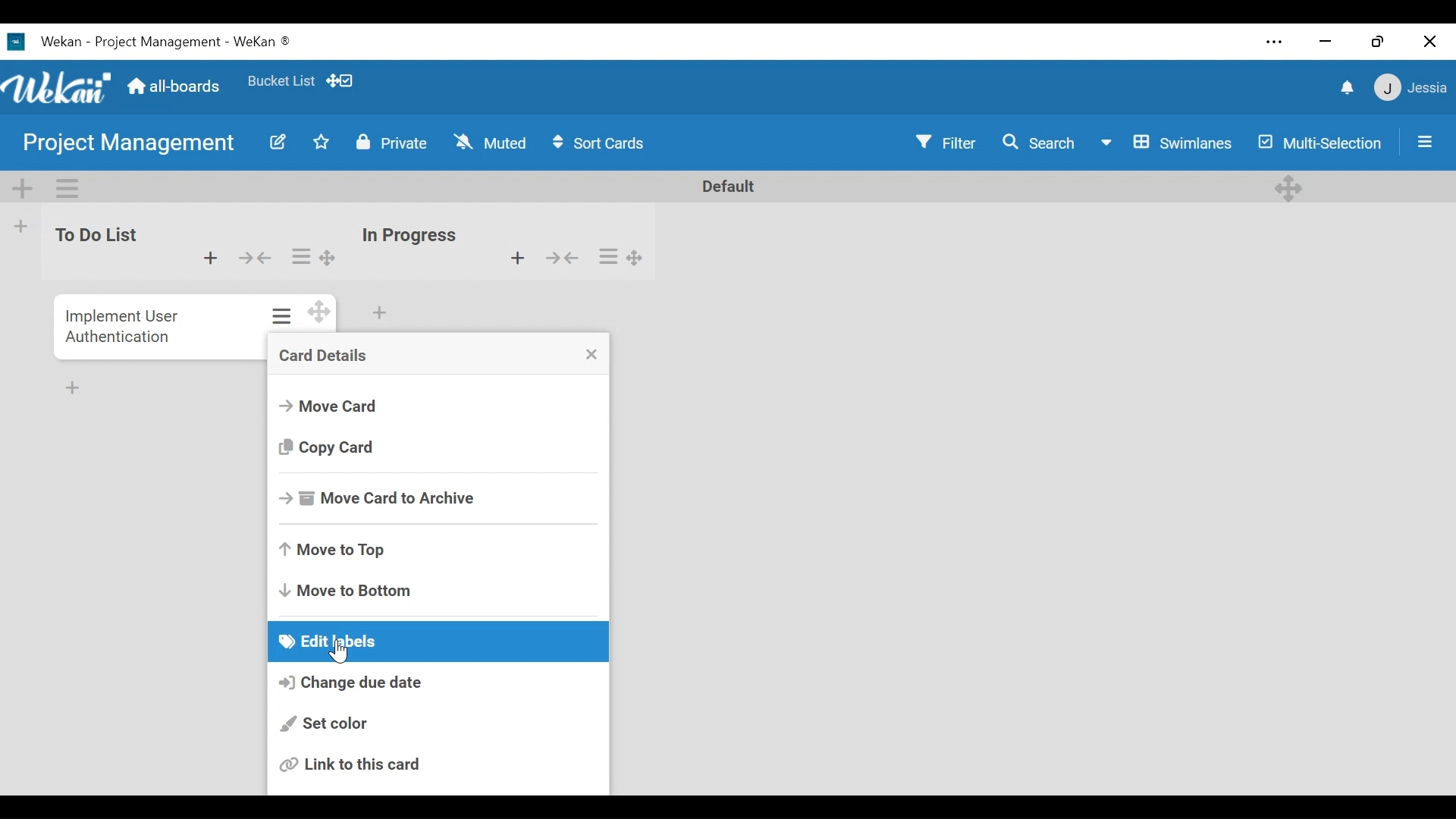 The height and width of the screenshot is (819, 1456). What do you see at coordinates (1426, 142) in the screenshot?
I see `open/close side pane` at bounding box center [1426, 142].